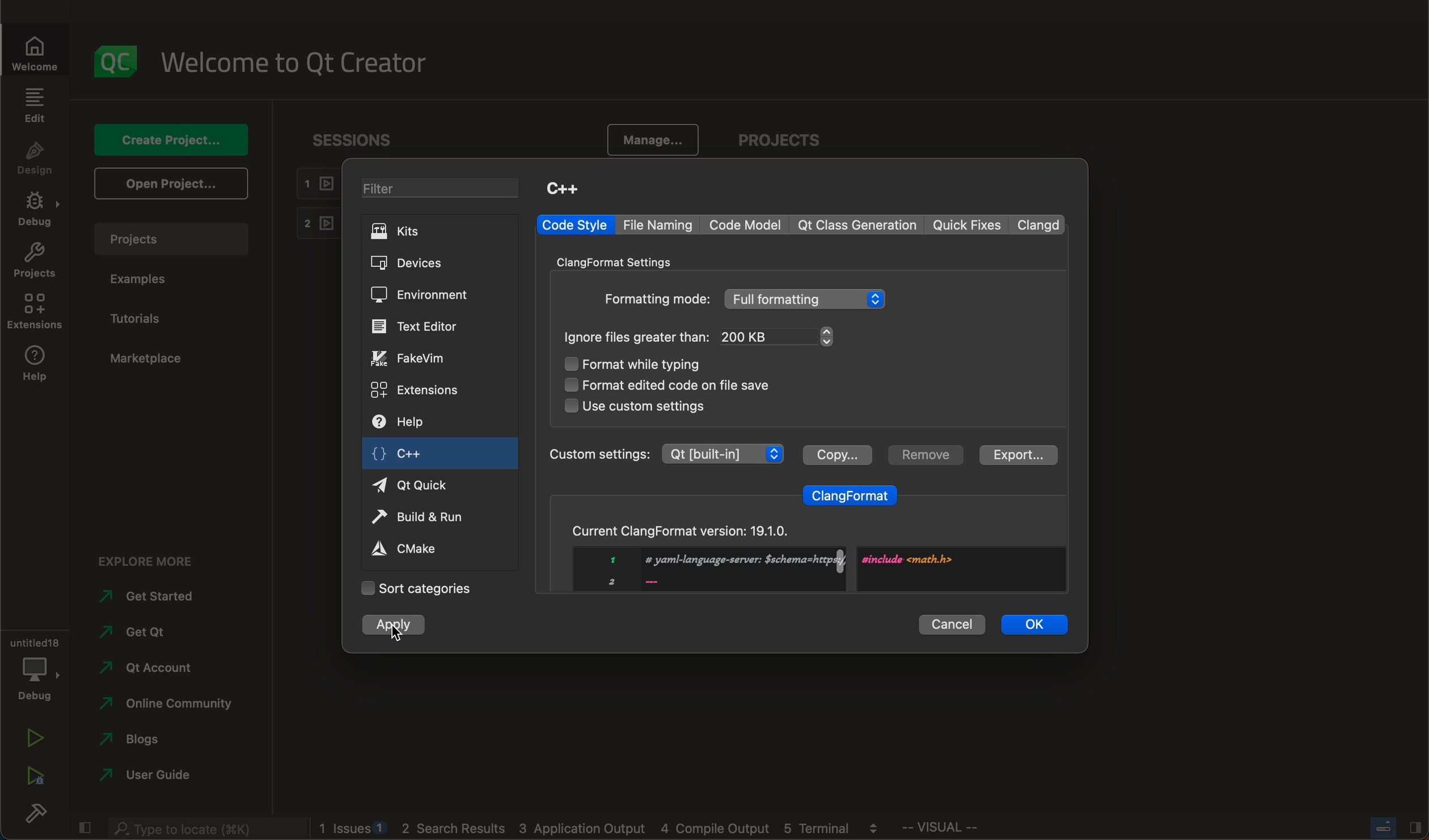 Image resolution: width=1429 pixels, height=840 pixels. Describe the element at coordinates (420, 358) in the screenshot. I see `fake vim` at that location.